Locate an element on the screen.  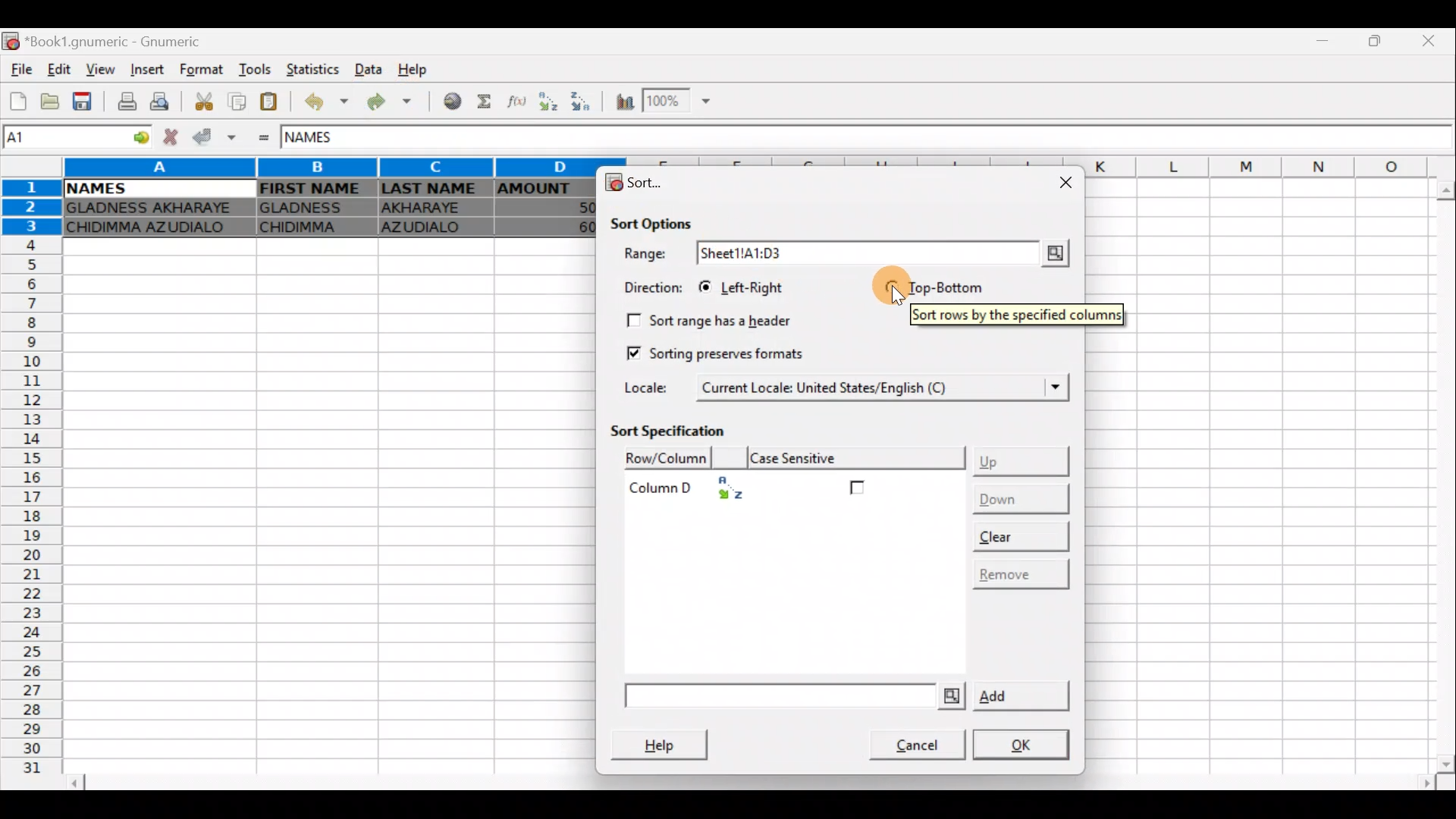
Statistics is located at coordinates (314, 71).